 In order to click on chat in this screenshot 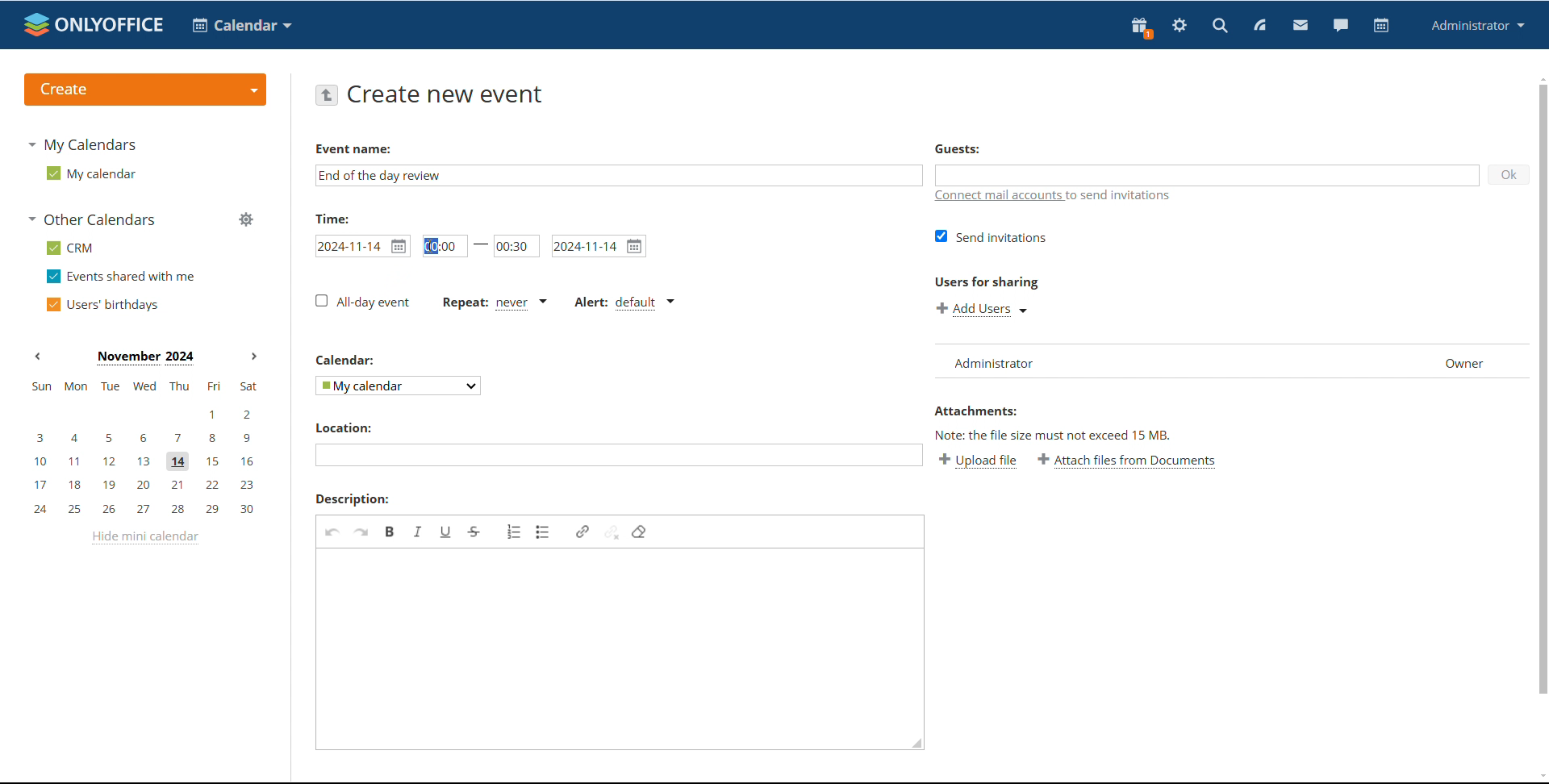, I will do `click(1341, 26)`.